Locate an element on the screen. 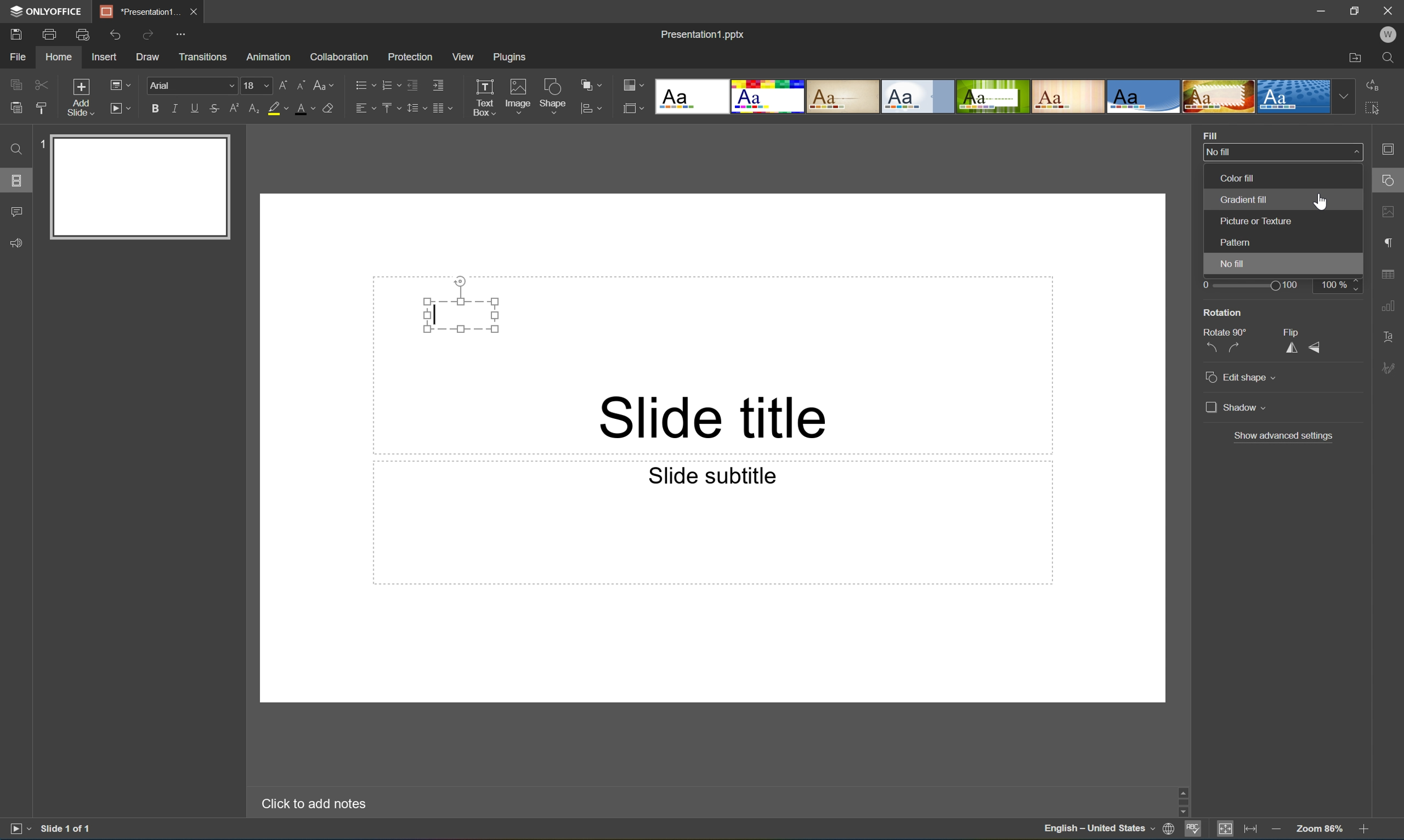 The image size is (1404, 840). Collaboration is located at coordinates (337, 56).